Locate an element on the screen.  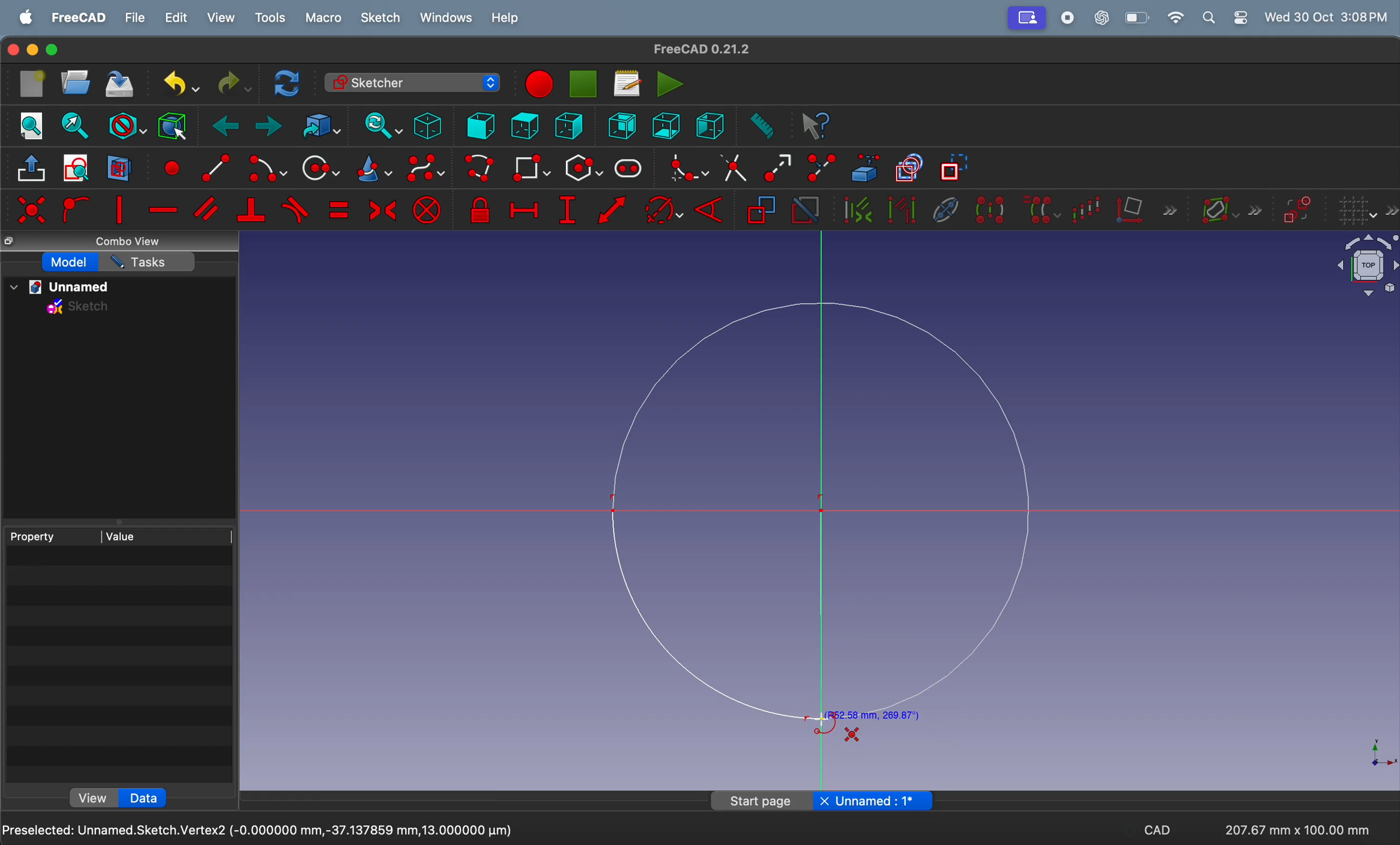
split edge is located at coordinates (824, 166).